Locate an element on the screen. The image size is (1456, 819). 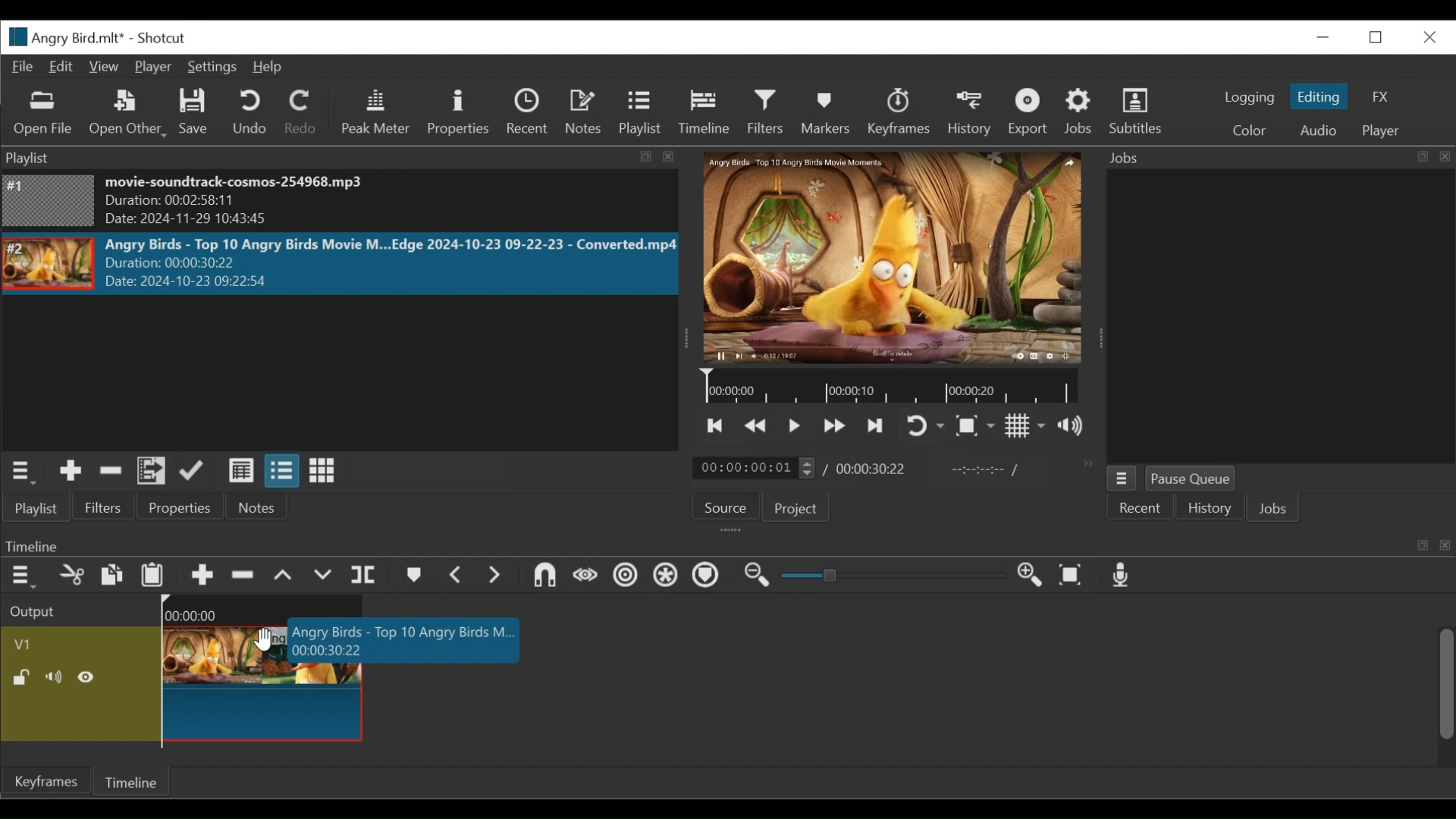
Timeline menu is located at coordinates (22, 577).